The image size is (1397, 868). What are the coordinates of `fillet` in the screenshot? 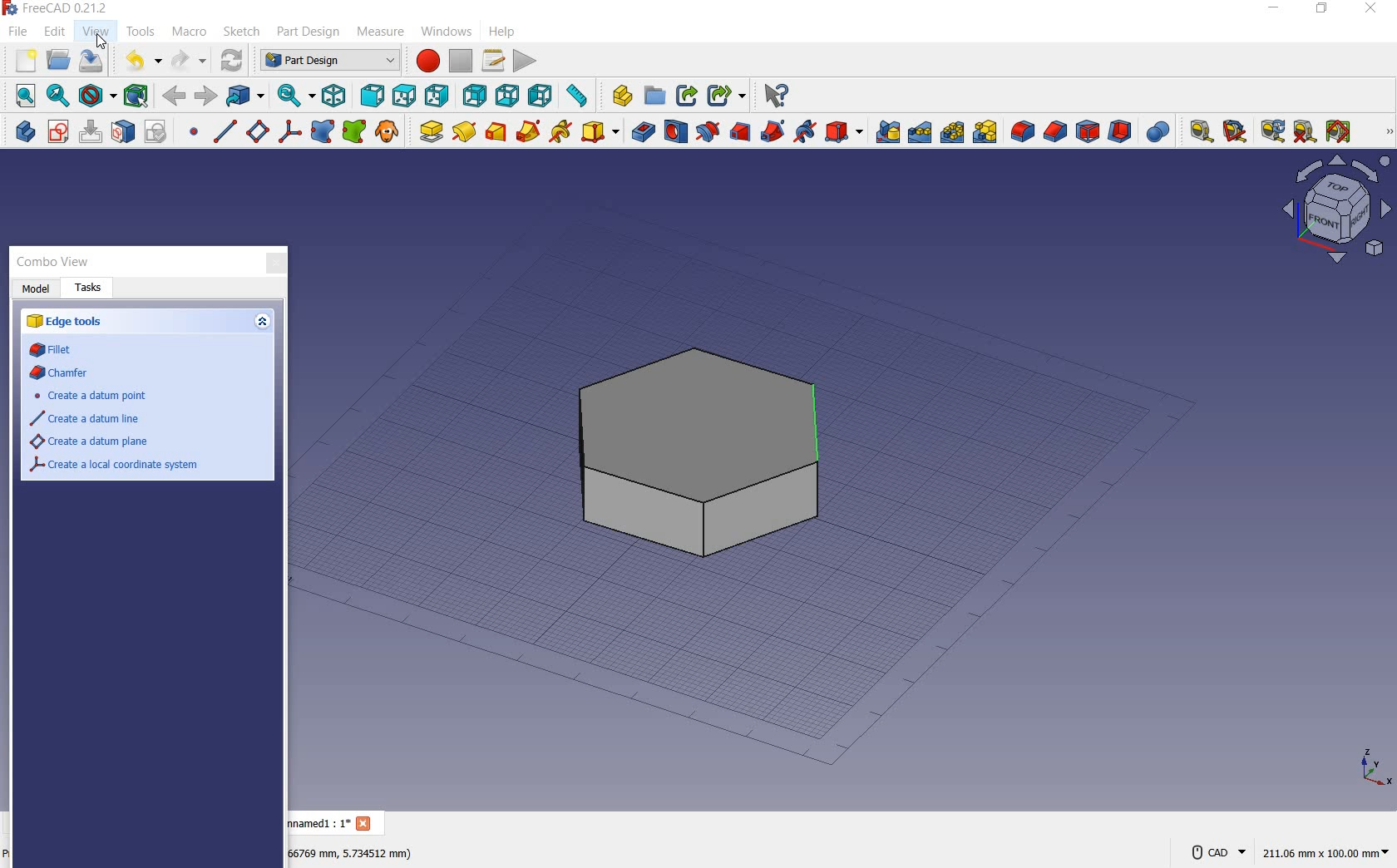 It's located at (1021, 132).